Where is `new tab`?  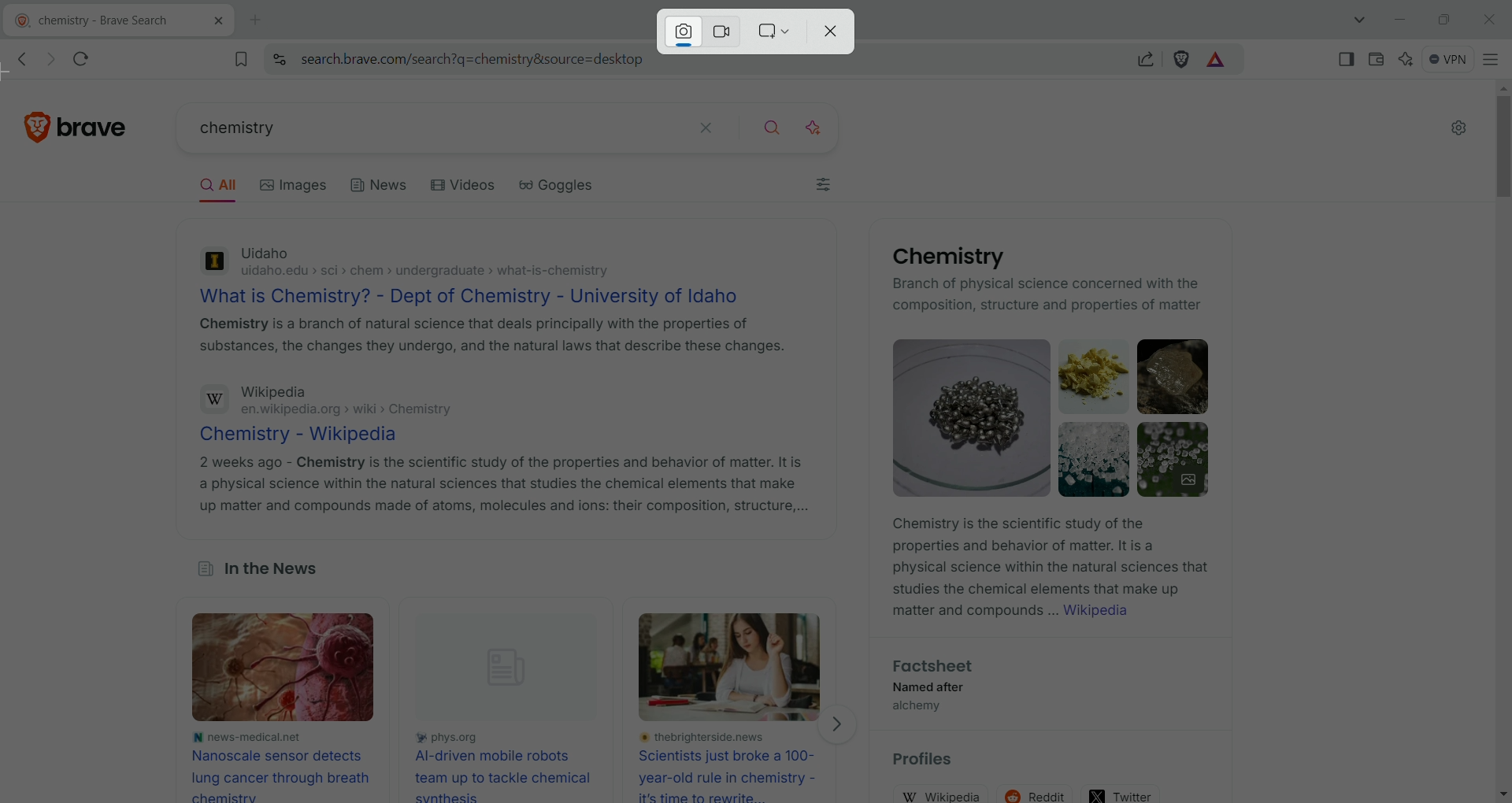 new tab is located at coordinates (257, 20).